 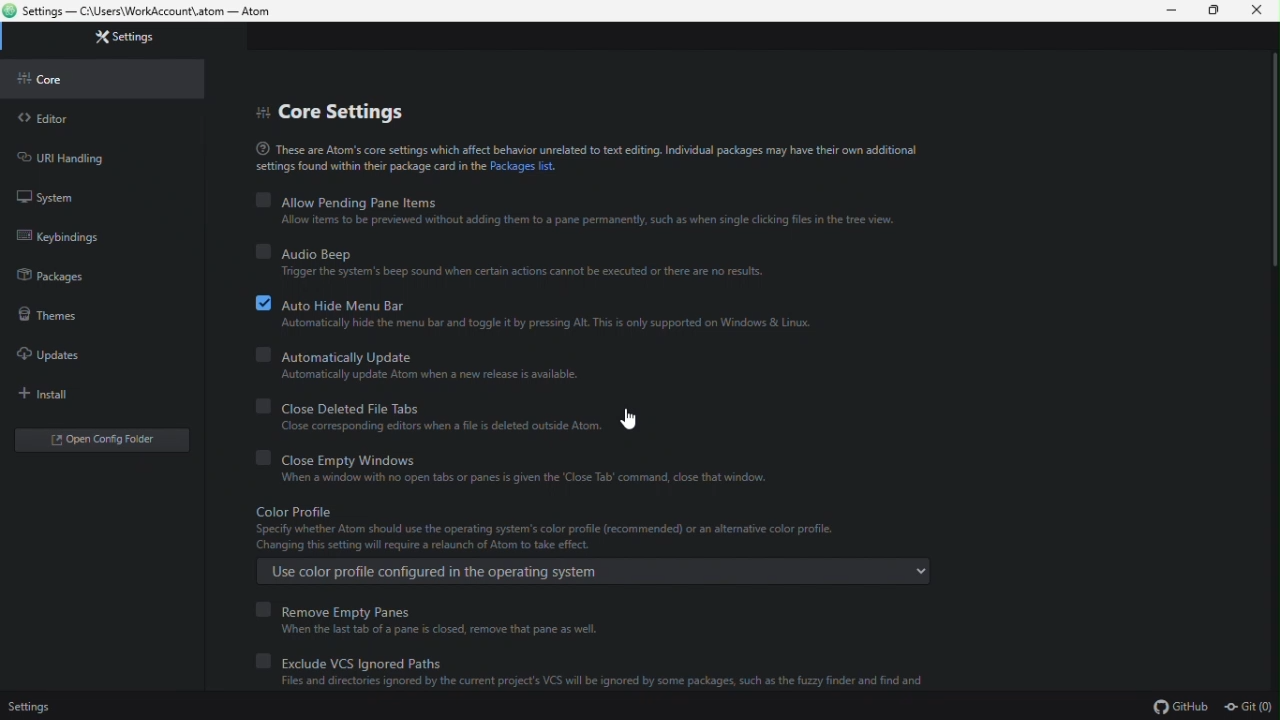 What do you see at coordinates (1272, 163) in the screenshot?
I see `scroll bar` at bounding box center [1272, 163].